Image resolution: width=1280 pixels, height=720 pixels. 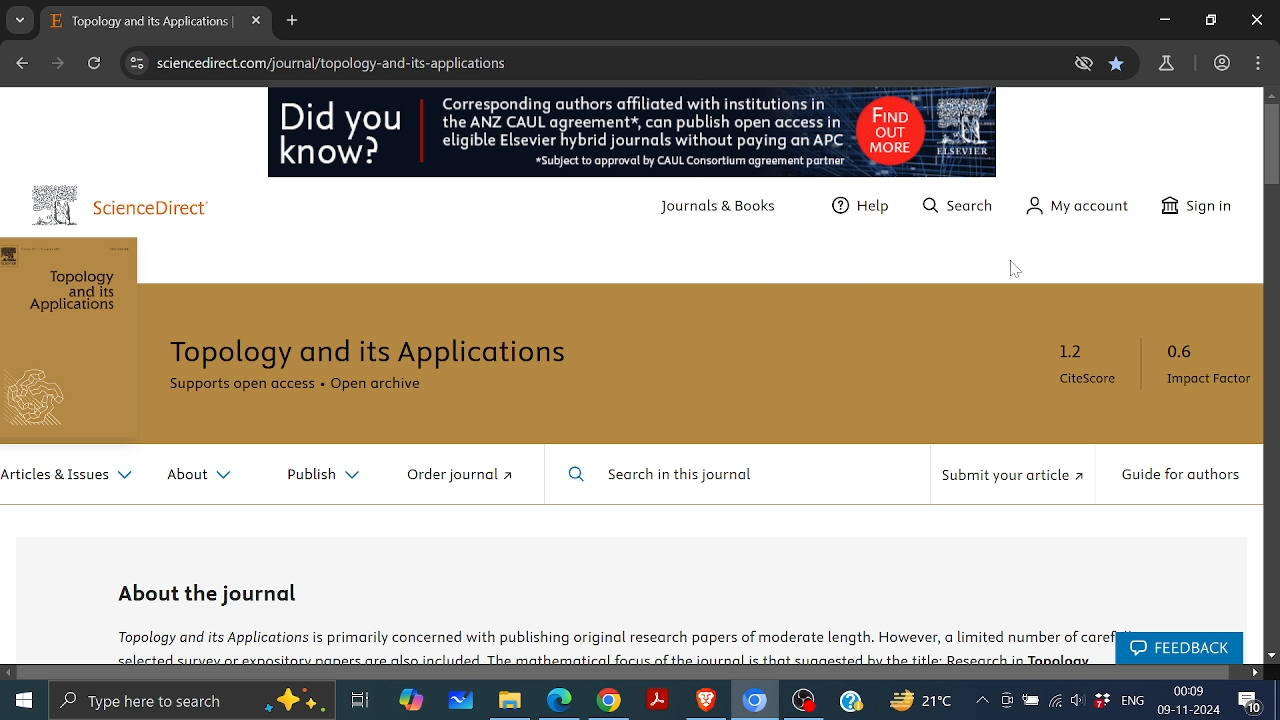 What do you see at coordinates (344, 137) in the screenshot?
I see `Did you know?` at bounding box center [344, 137].